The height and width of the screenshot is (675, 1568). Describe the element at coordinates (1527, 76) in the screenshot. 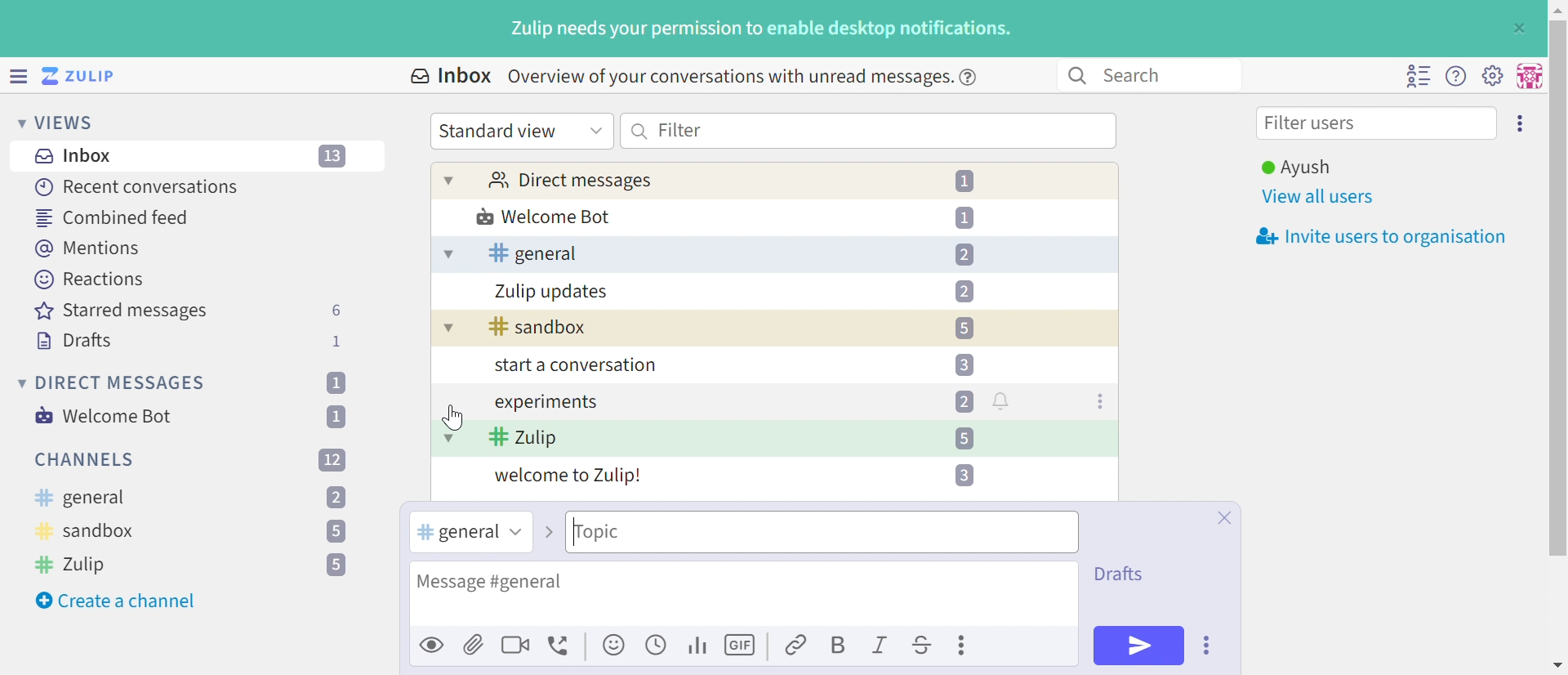

I see `Personal menu` at that location.